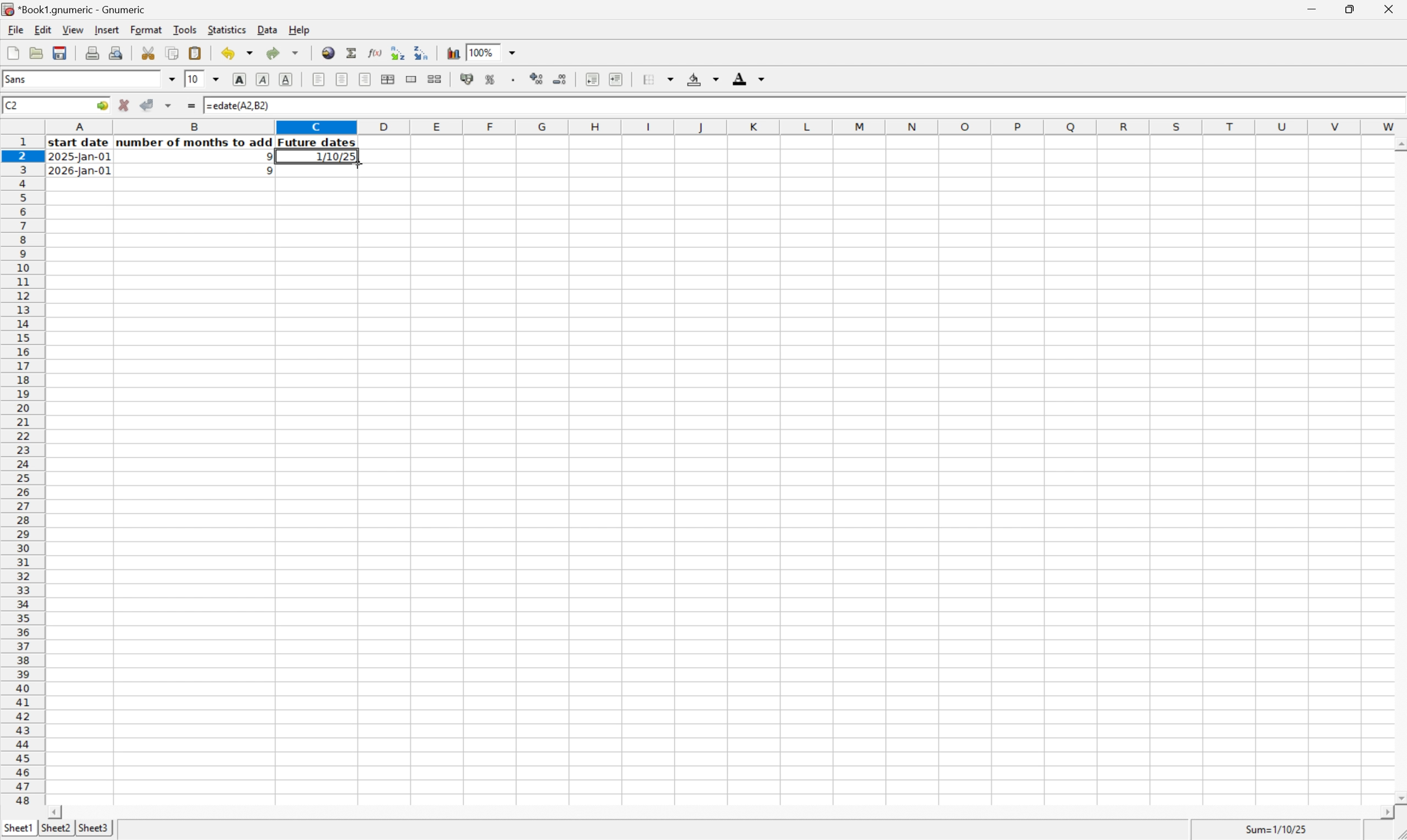 This screenshot has height=840, width=1407. What do you see at coordinates (238, 106) in the screenshot?
I see `=edate(A2, B2)` at bounding box center [238, 106].